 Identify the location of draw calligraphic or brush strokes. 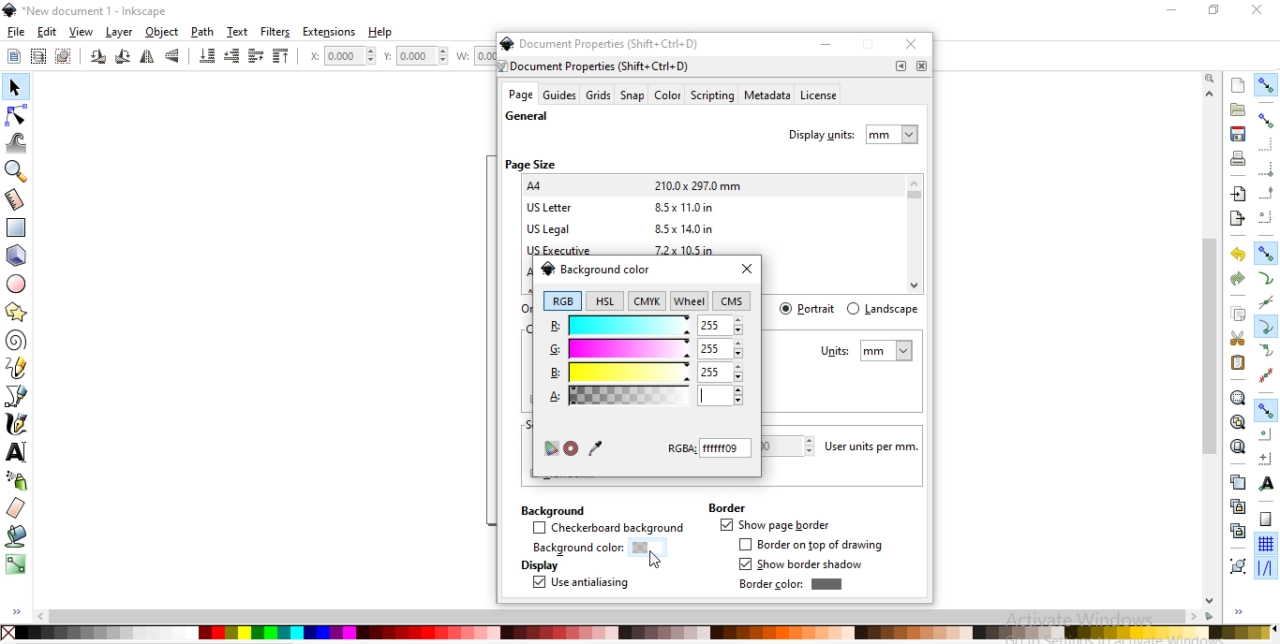
(19, 424).